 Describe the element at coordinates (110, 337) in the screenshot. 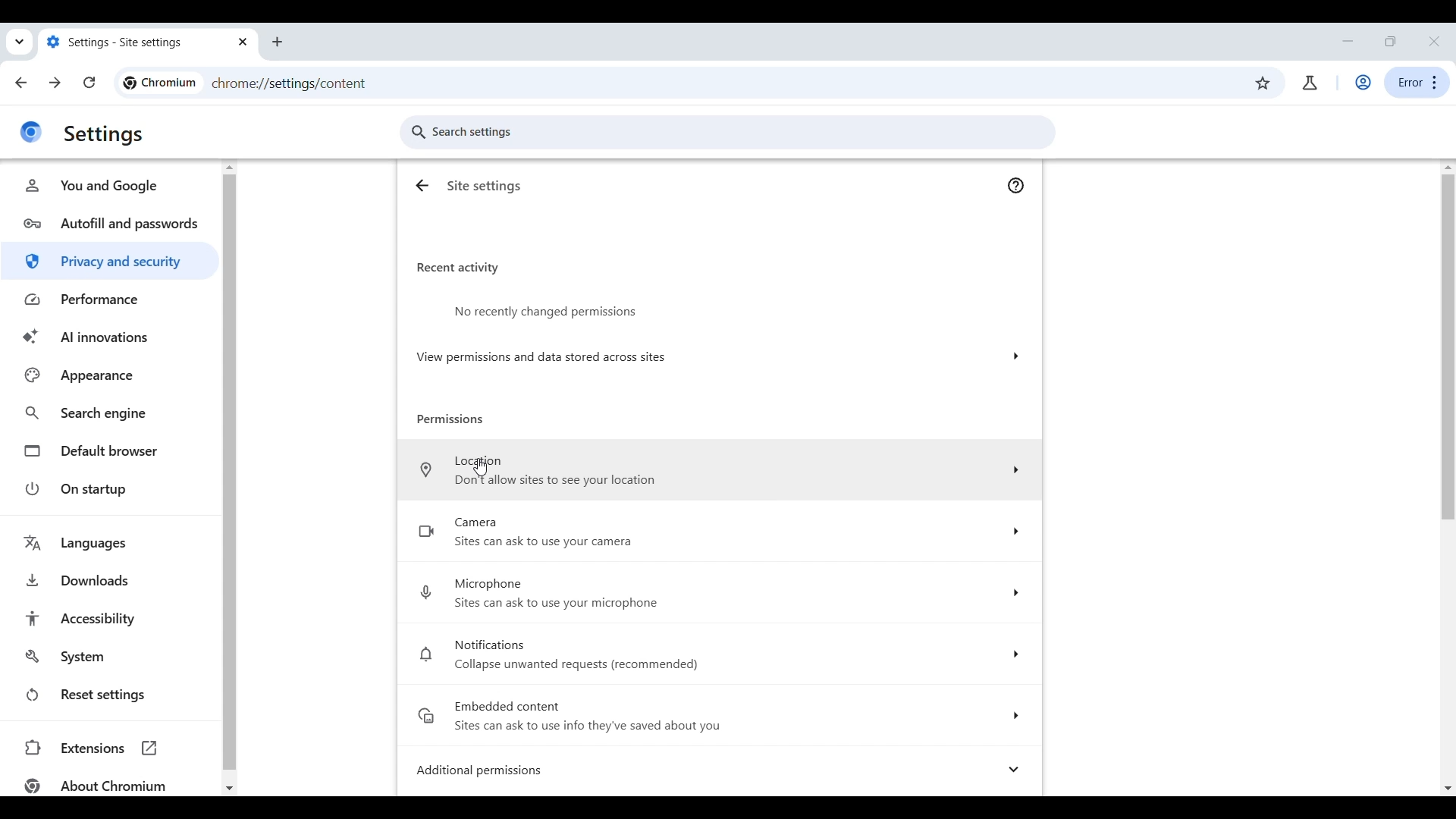

I see `AI innovations` at that location.